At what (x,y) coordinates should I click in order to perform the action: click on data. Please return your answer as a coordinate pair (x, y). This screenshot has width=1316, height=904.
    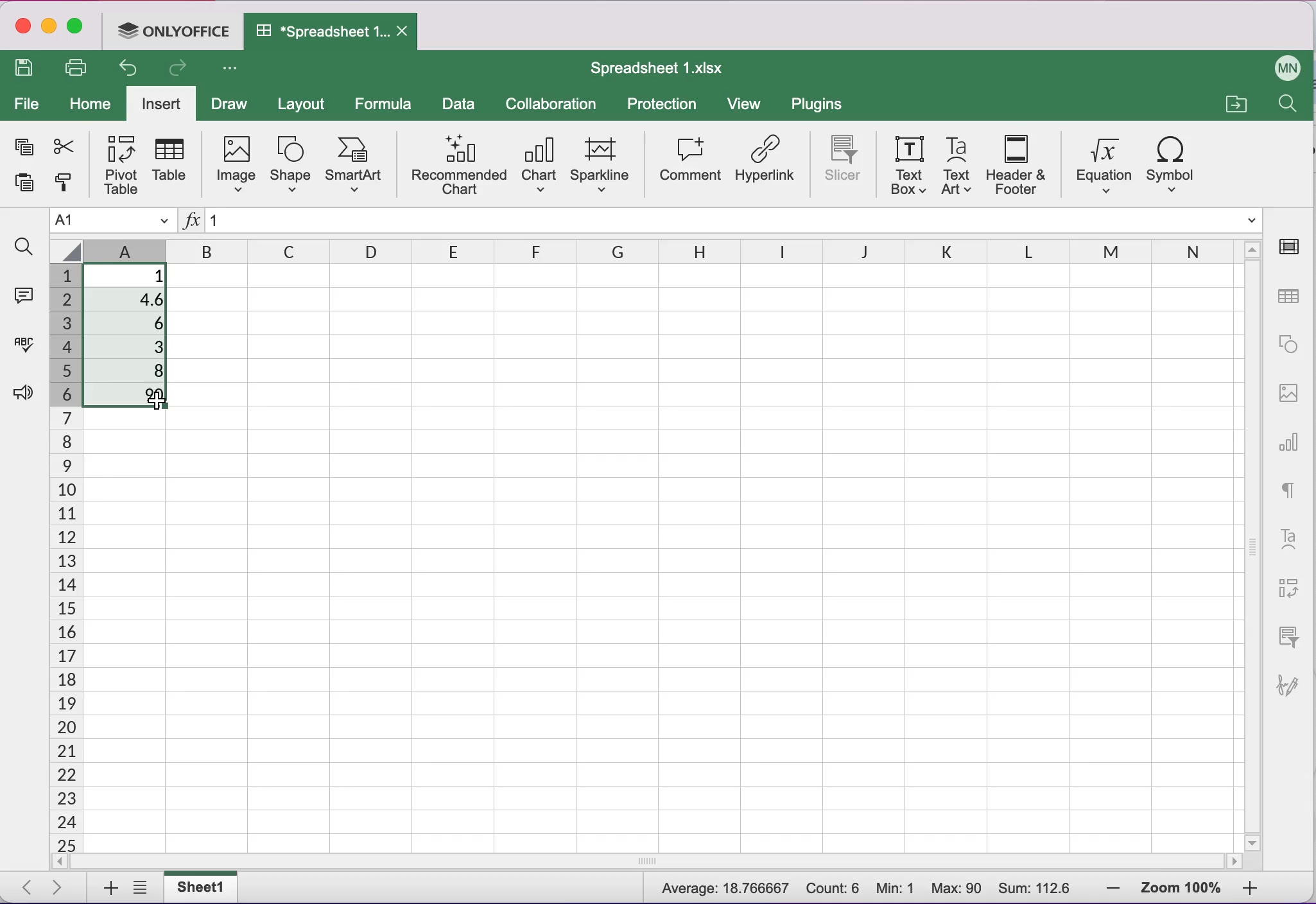
    Looking at the image, I should click on (460, 105).